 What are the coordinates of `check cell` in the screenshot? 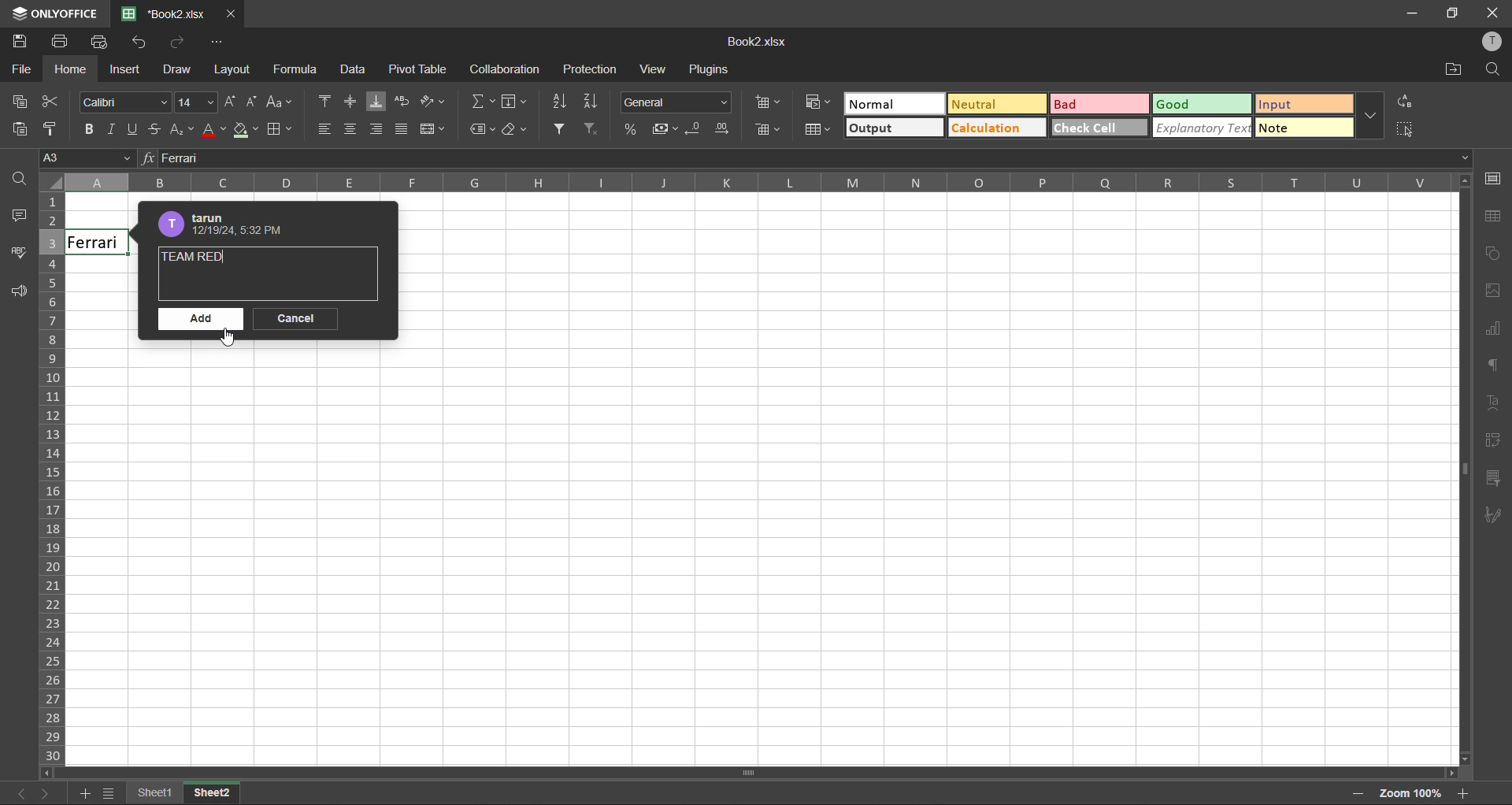 It's located at (1095, 130).